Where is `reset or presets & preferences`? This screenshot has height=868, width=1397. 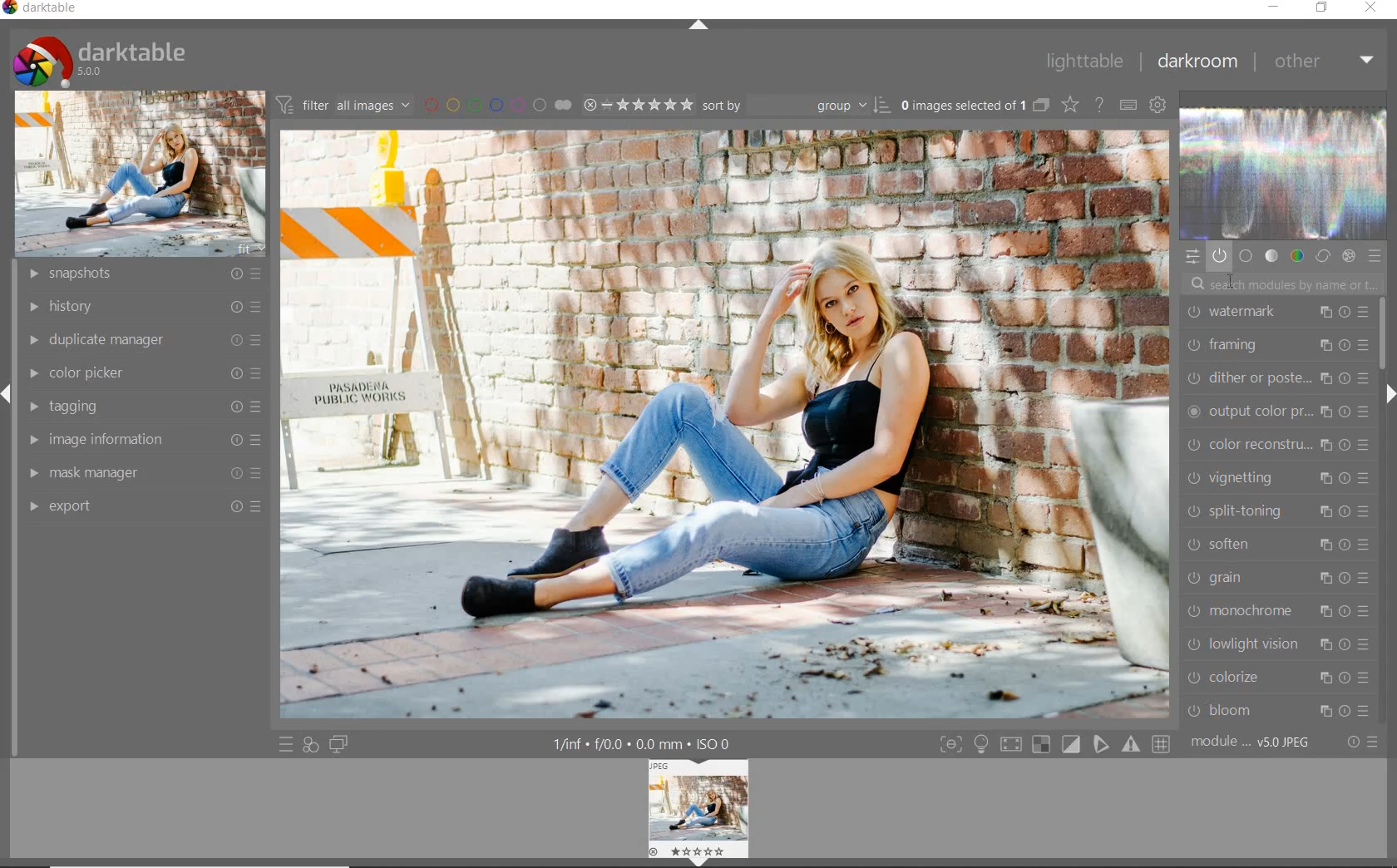
reset or presets & preferences is located at coordinates (1365, 742).